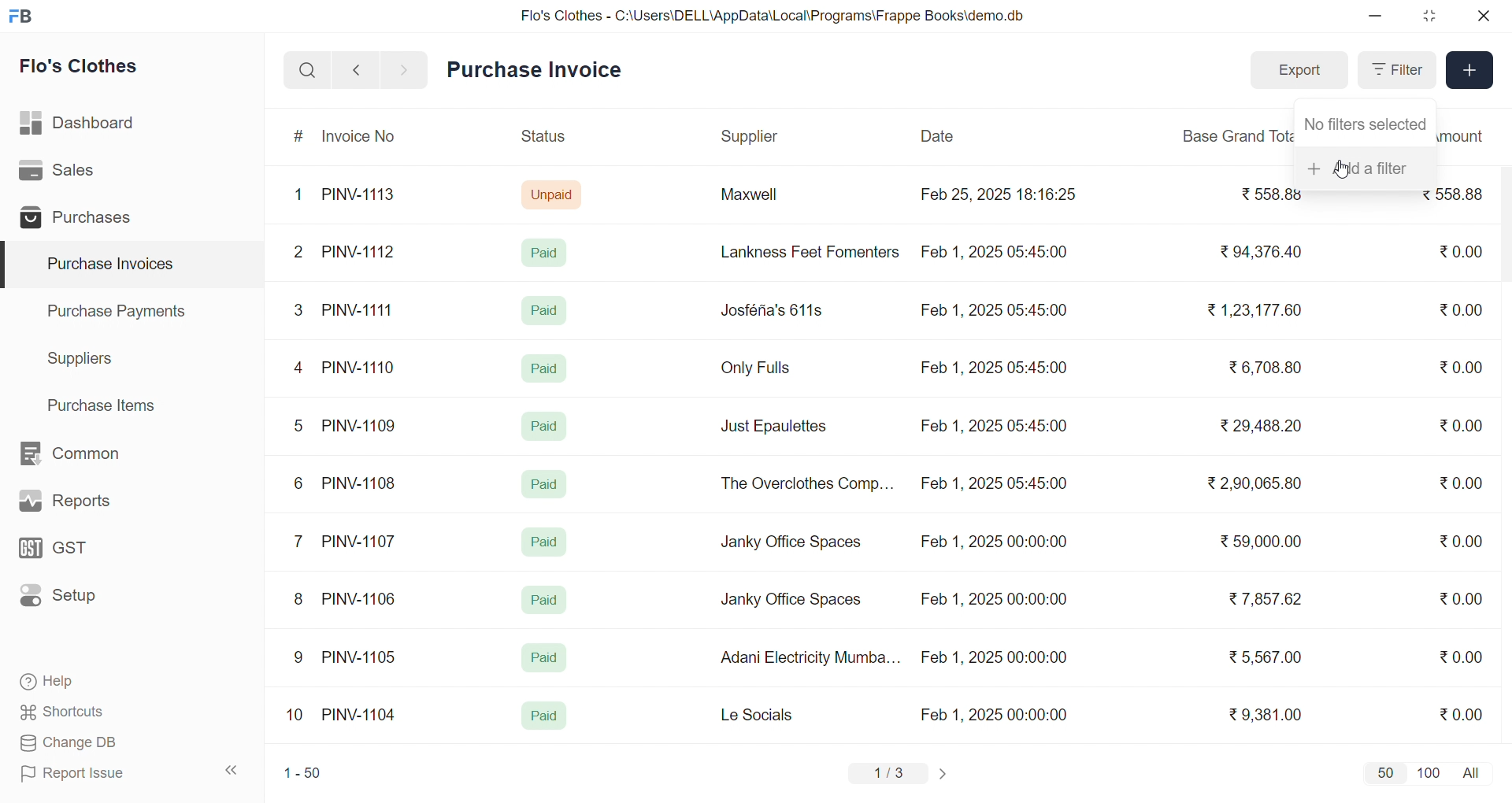 This screenshot has height=803, width=1512. I want to click on Josféria's 611s, so click(769, 308).